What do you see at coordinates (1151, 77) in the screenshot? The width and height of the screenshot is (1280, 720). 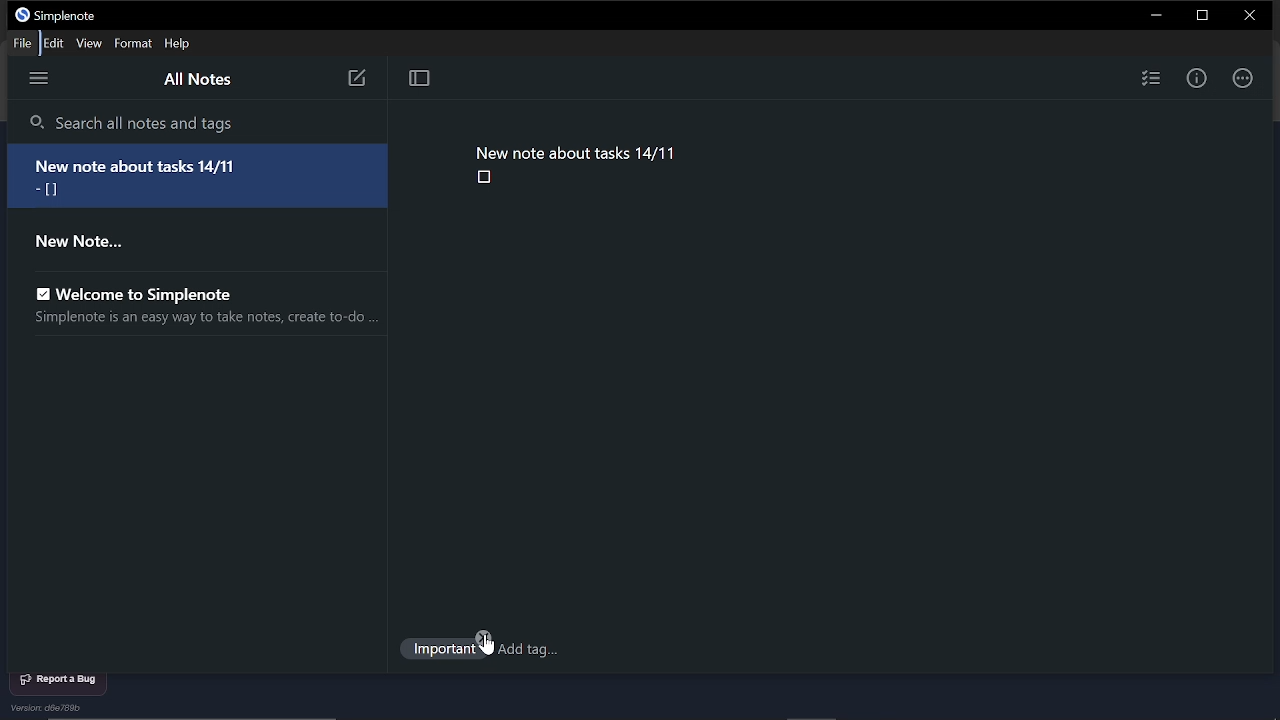 I see `Insert checklist` at bounding box center [1151, 77].